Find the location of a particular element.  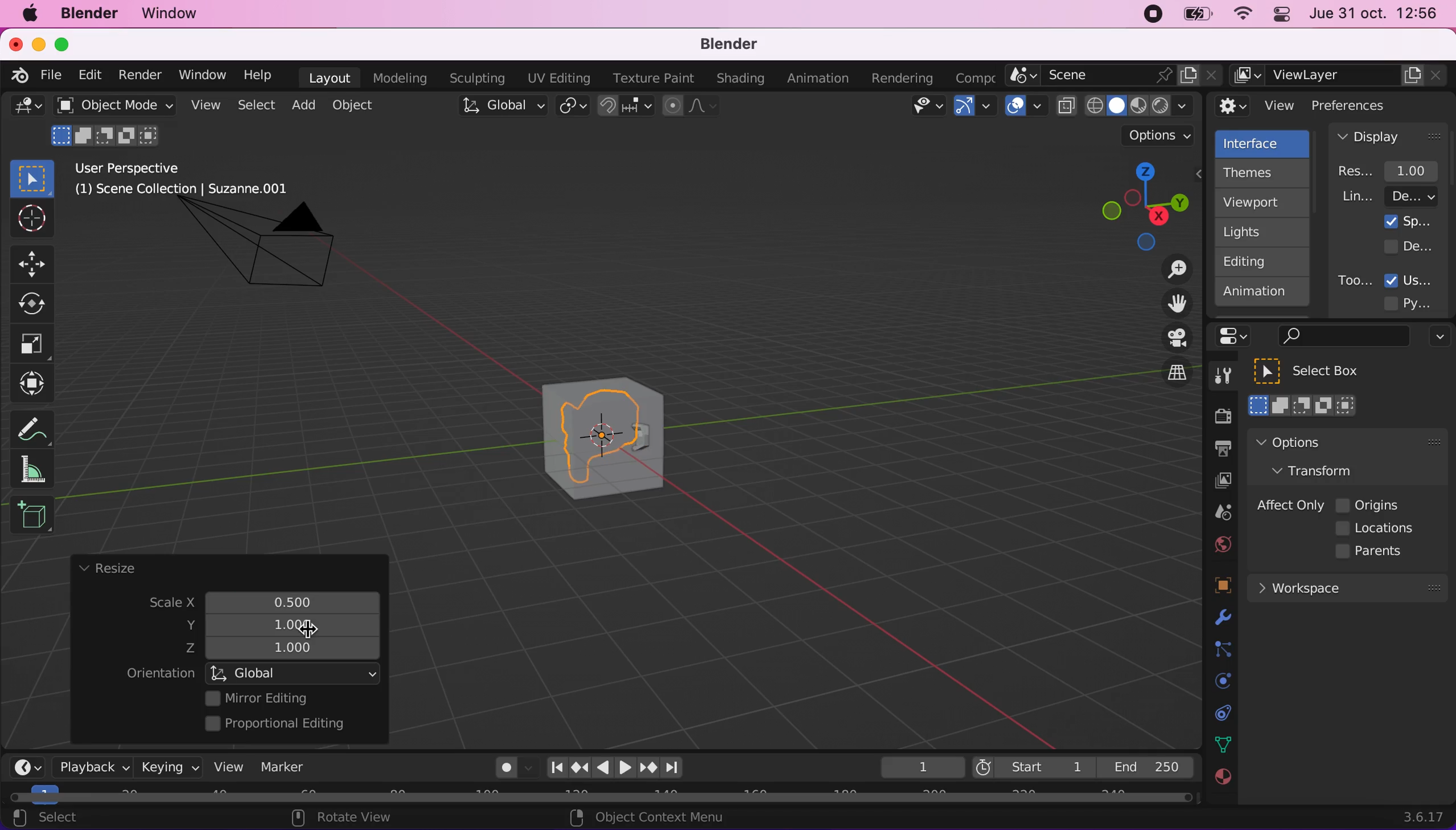

annotate is located at coordinates (37, 426).